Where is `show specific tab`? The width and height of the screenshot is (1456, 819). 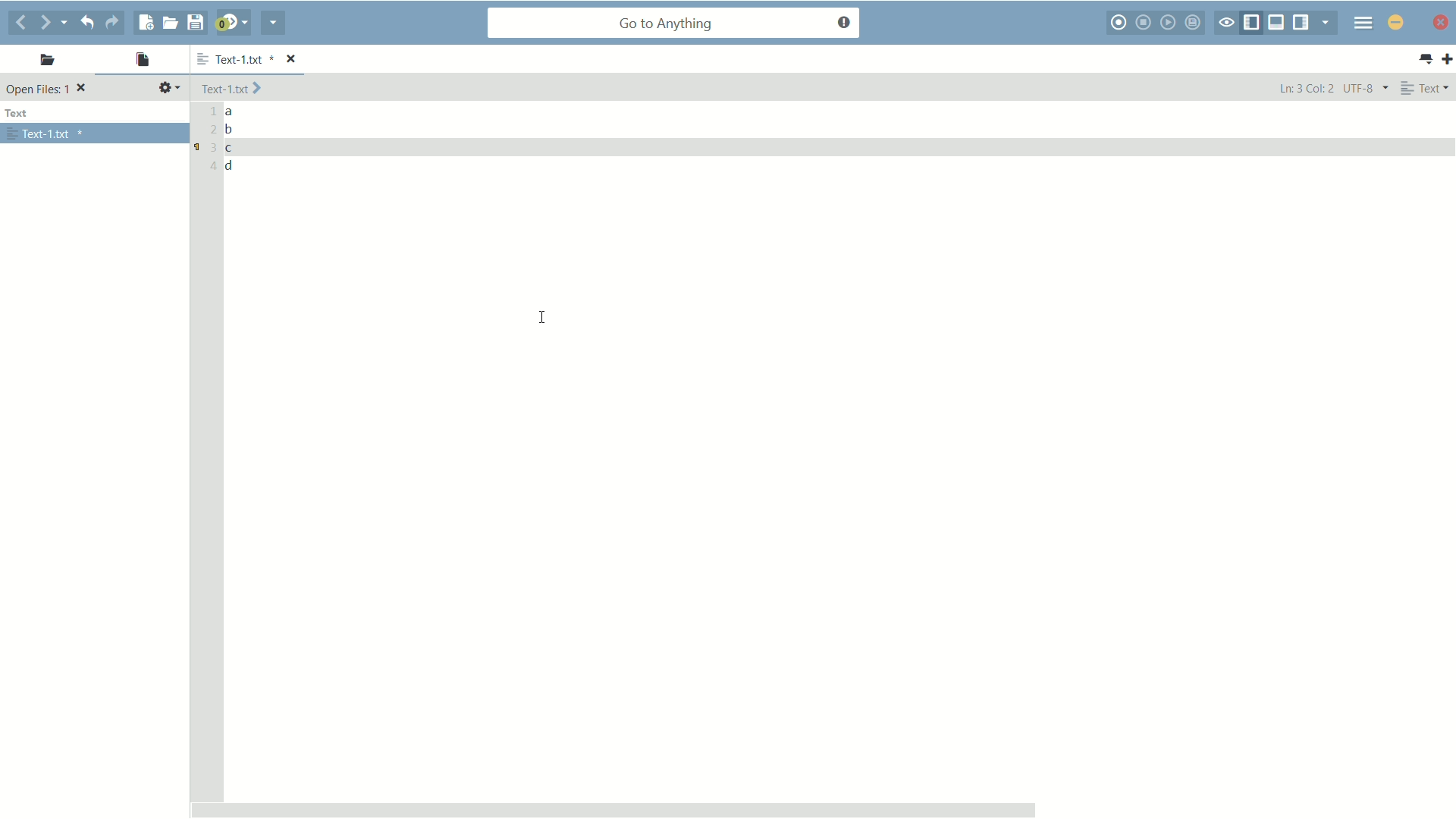 show specific tab is located at coordinates (1326, 22).